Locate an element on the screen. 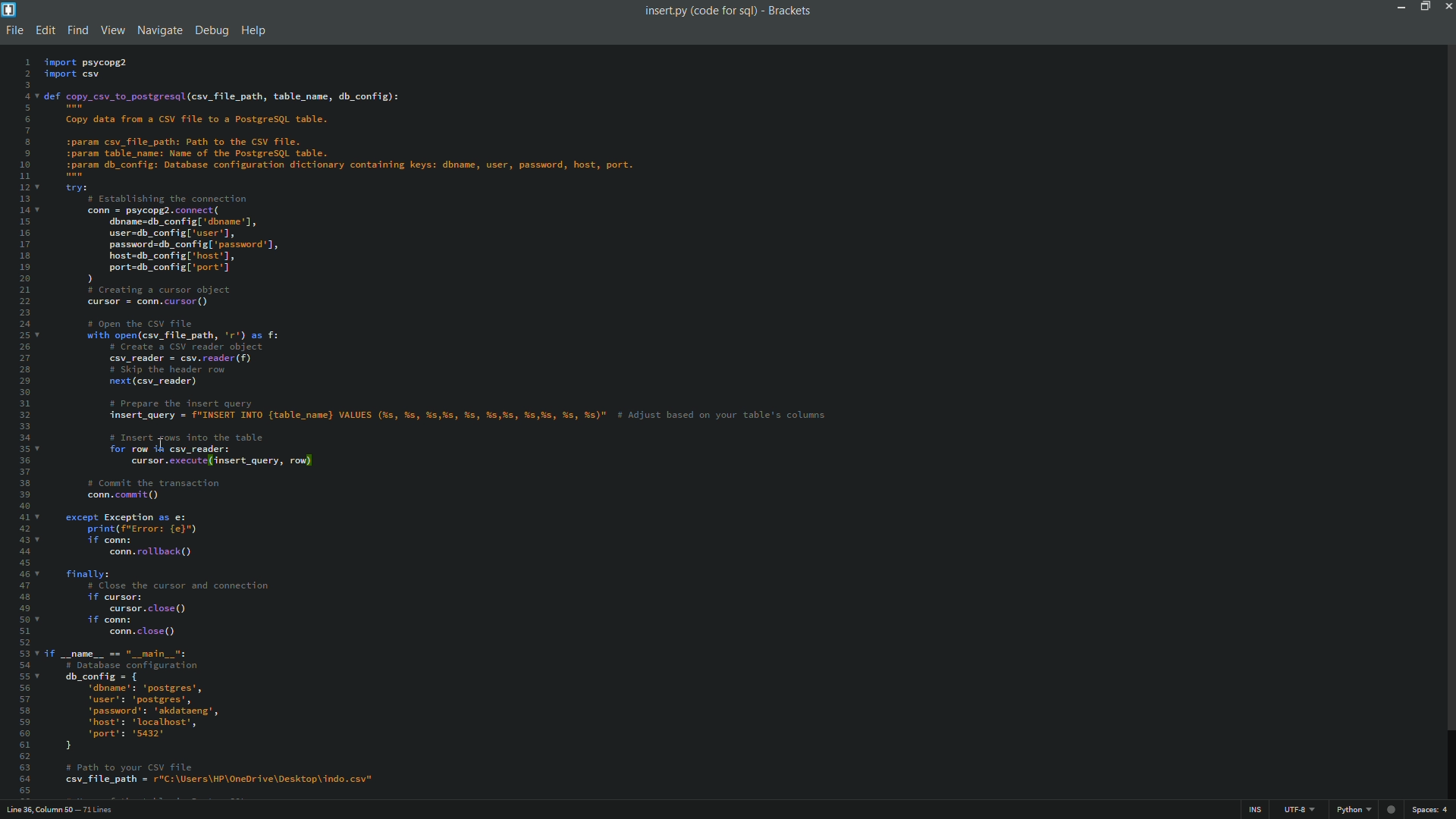 The height and width of the screenshot is (819, 1456). line numbers is located at coordinates (19, 426).